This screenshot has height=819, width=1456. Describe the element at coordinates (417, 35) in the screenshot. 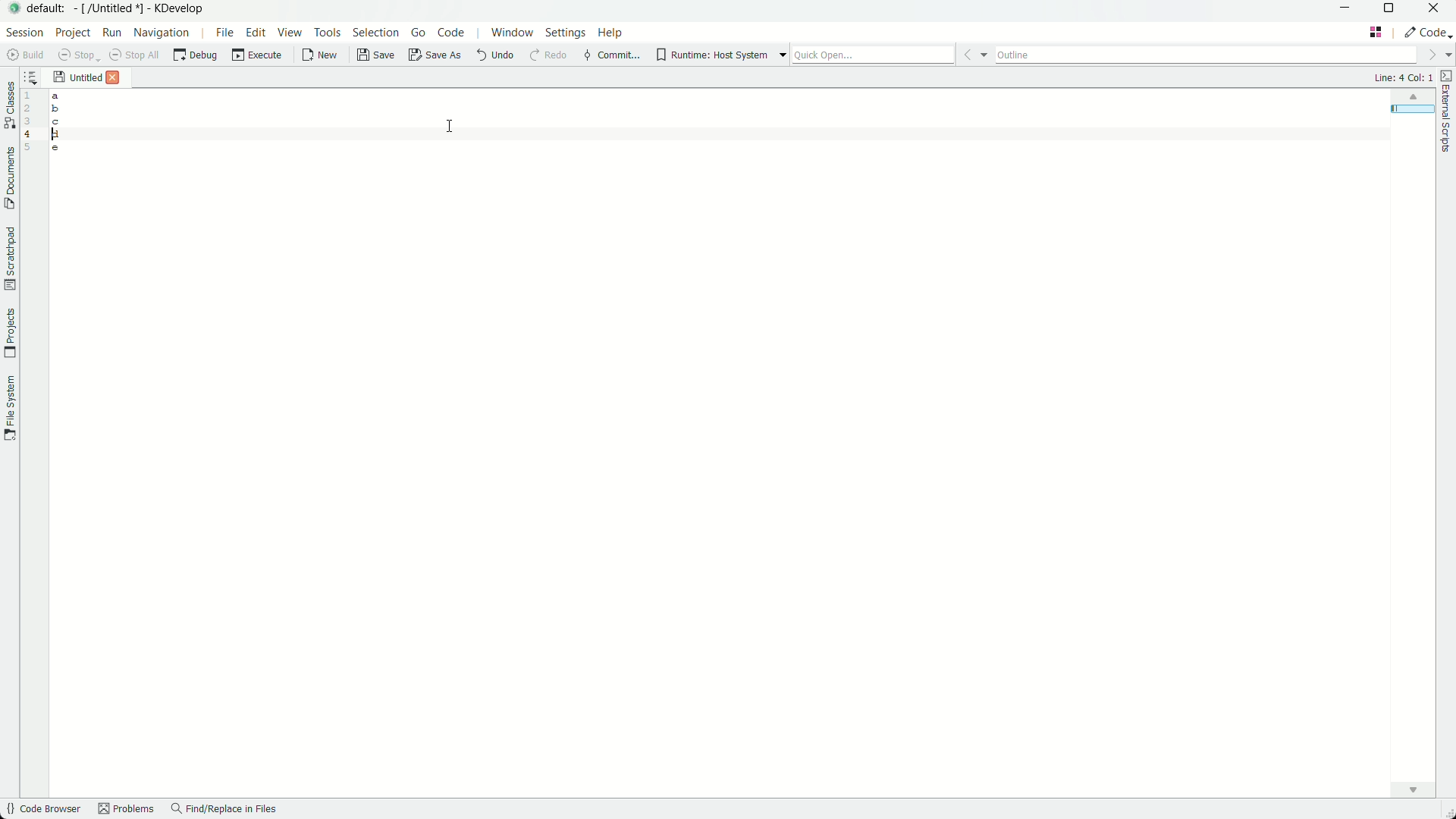

I see `go` at that location.